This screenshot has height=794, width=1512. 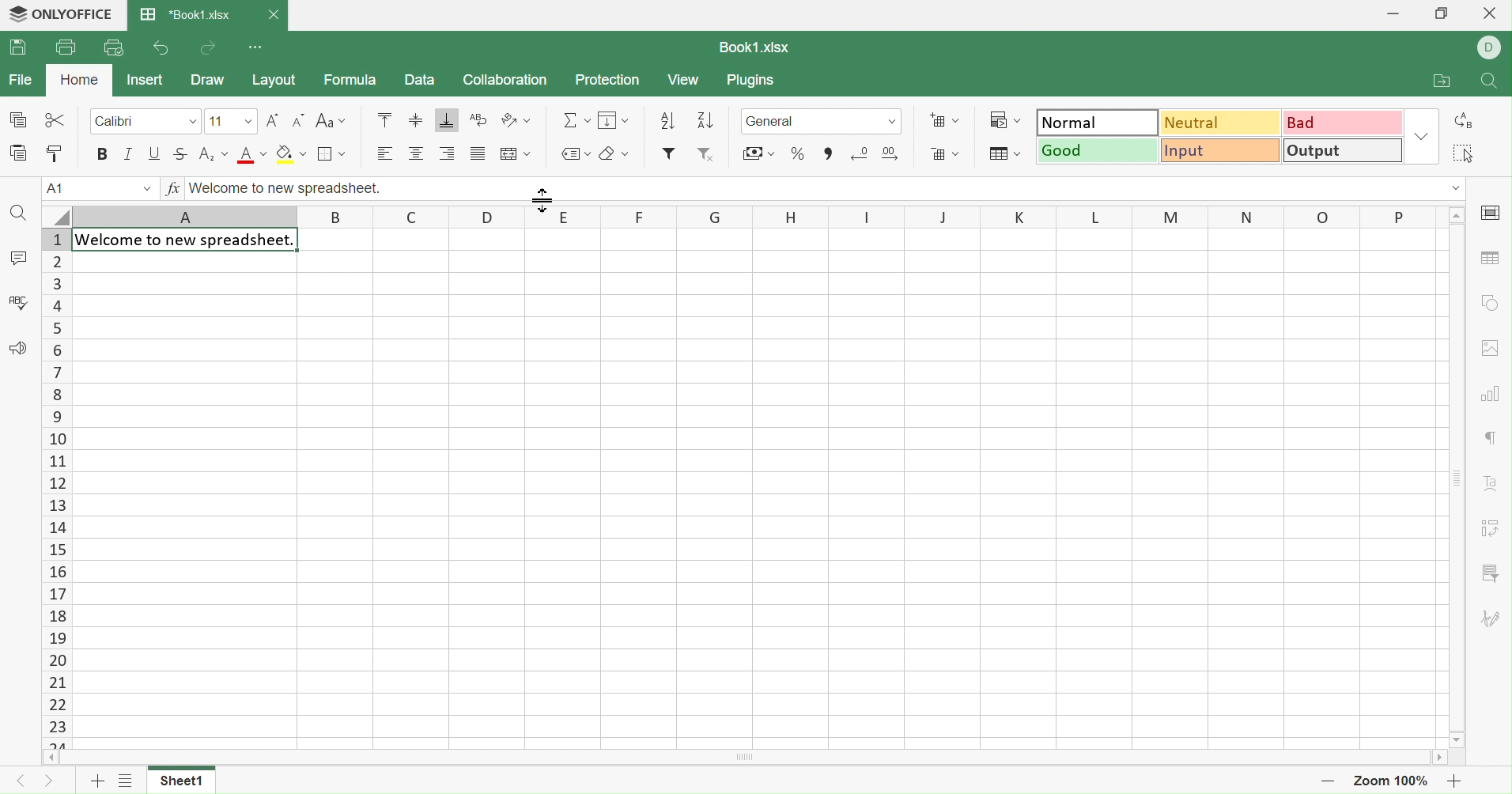 I want to click on Quick Print, so click(x=112, y=47).